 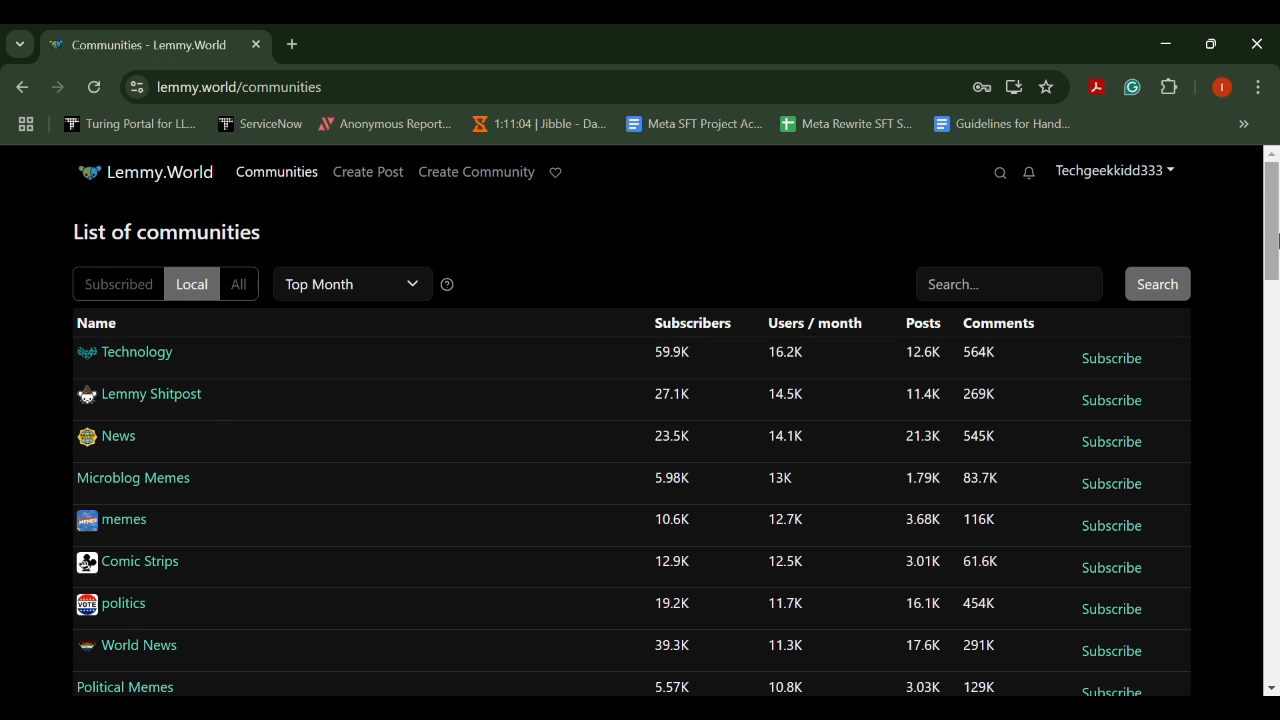 I want to click on 27.1K, so click(x=673, y=395).